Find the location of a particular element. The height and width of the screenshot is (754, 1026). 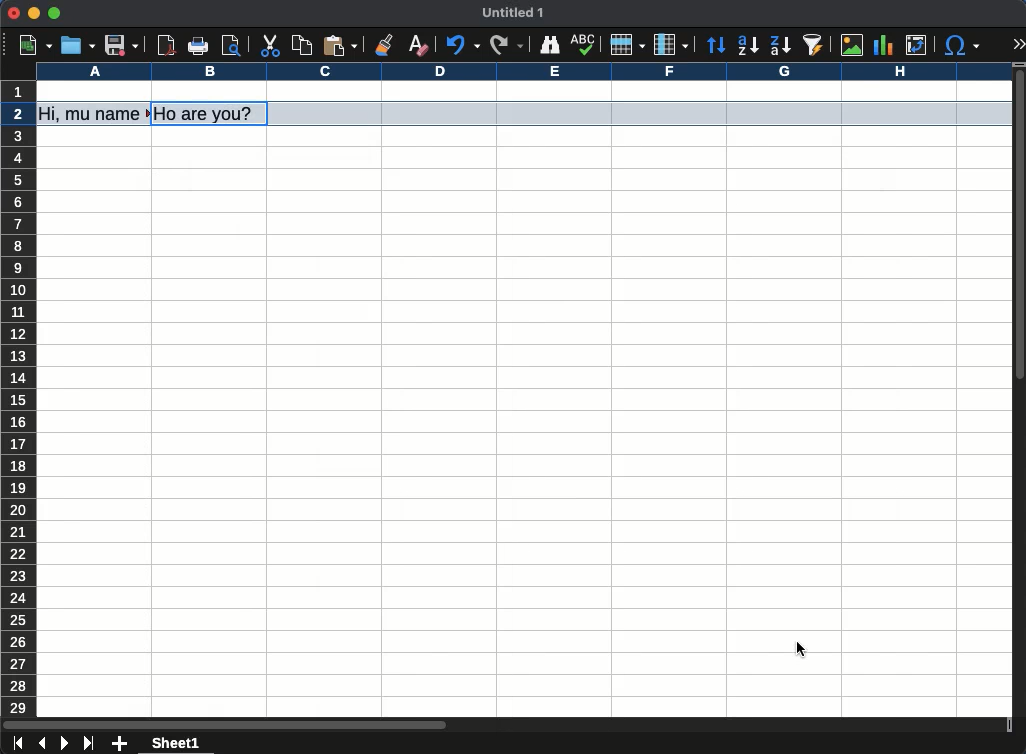

last sheet is located at coordinates (91, 744).